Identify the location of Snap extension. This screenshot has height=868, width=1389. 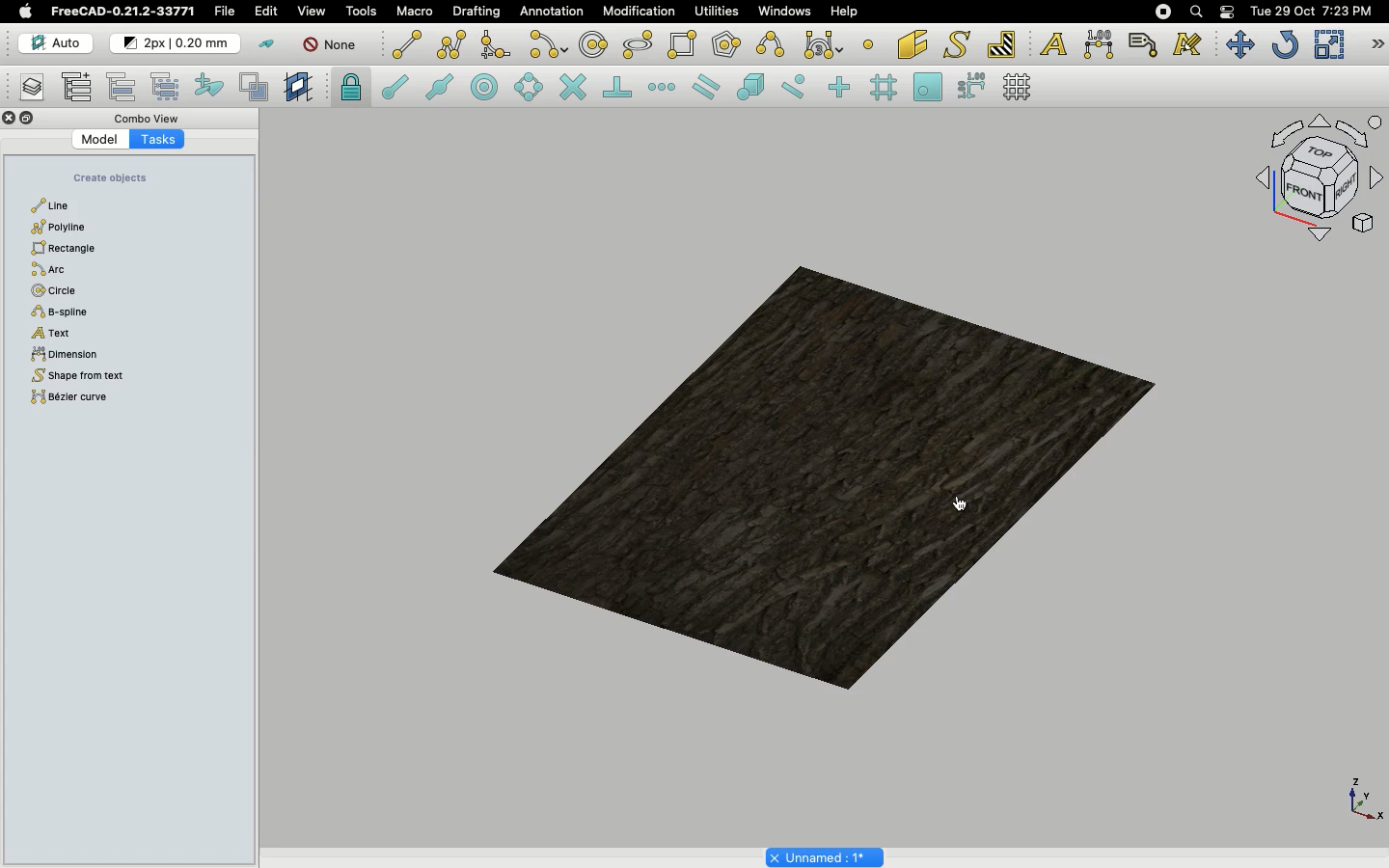
(662, 88).